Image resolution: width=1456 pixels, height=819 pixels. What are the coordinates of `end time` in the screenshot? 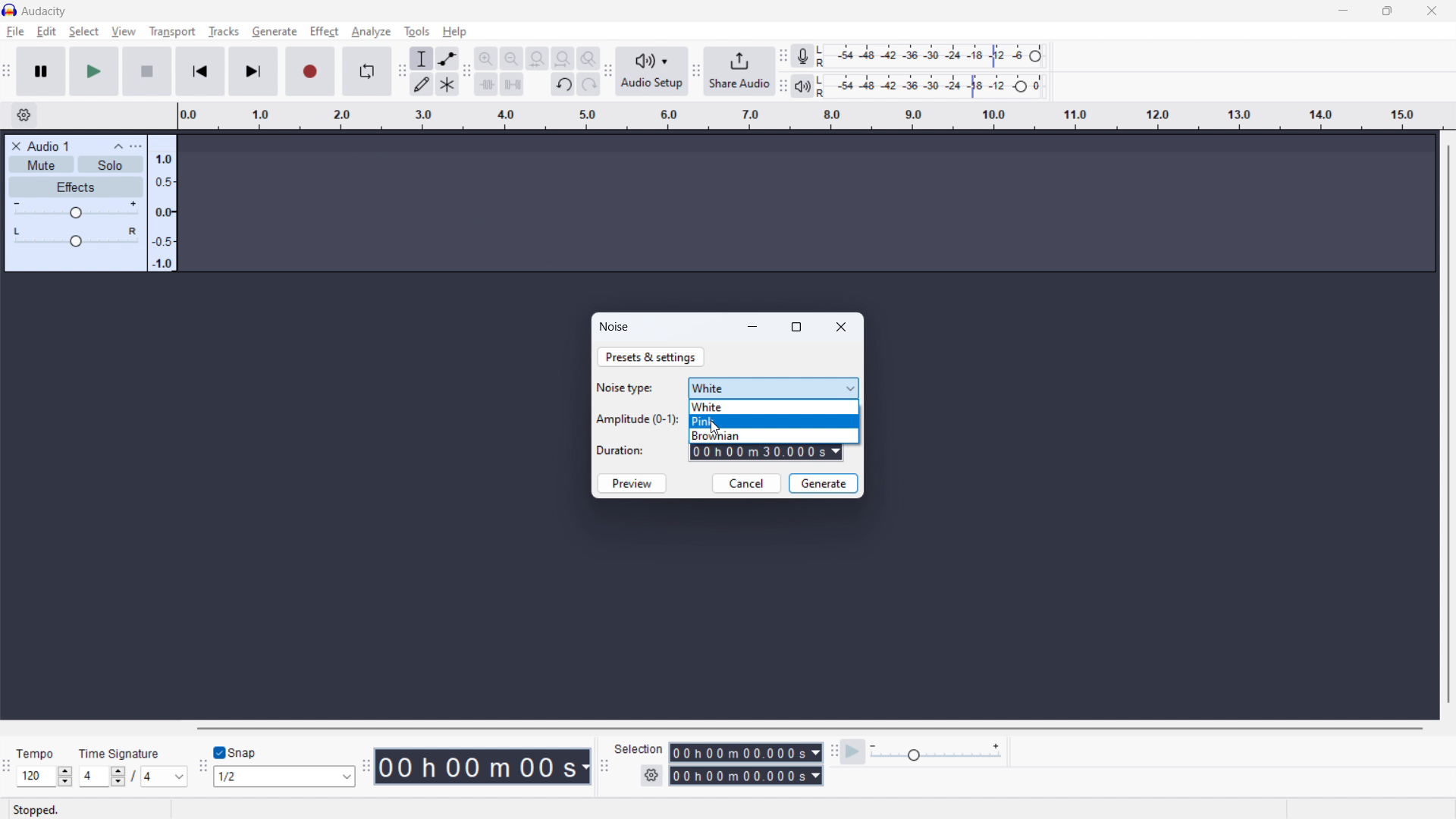 It's located at (745, 775).